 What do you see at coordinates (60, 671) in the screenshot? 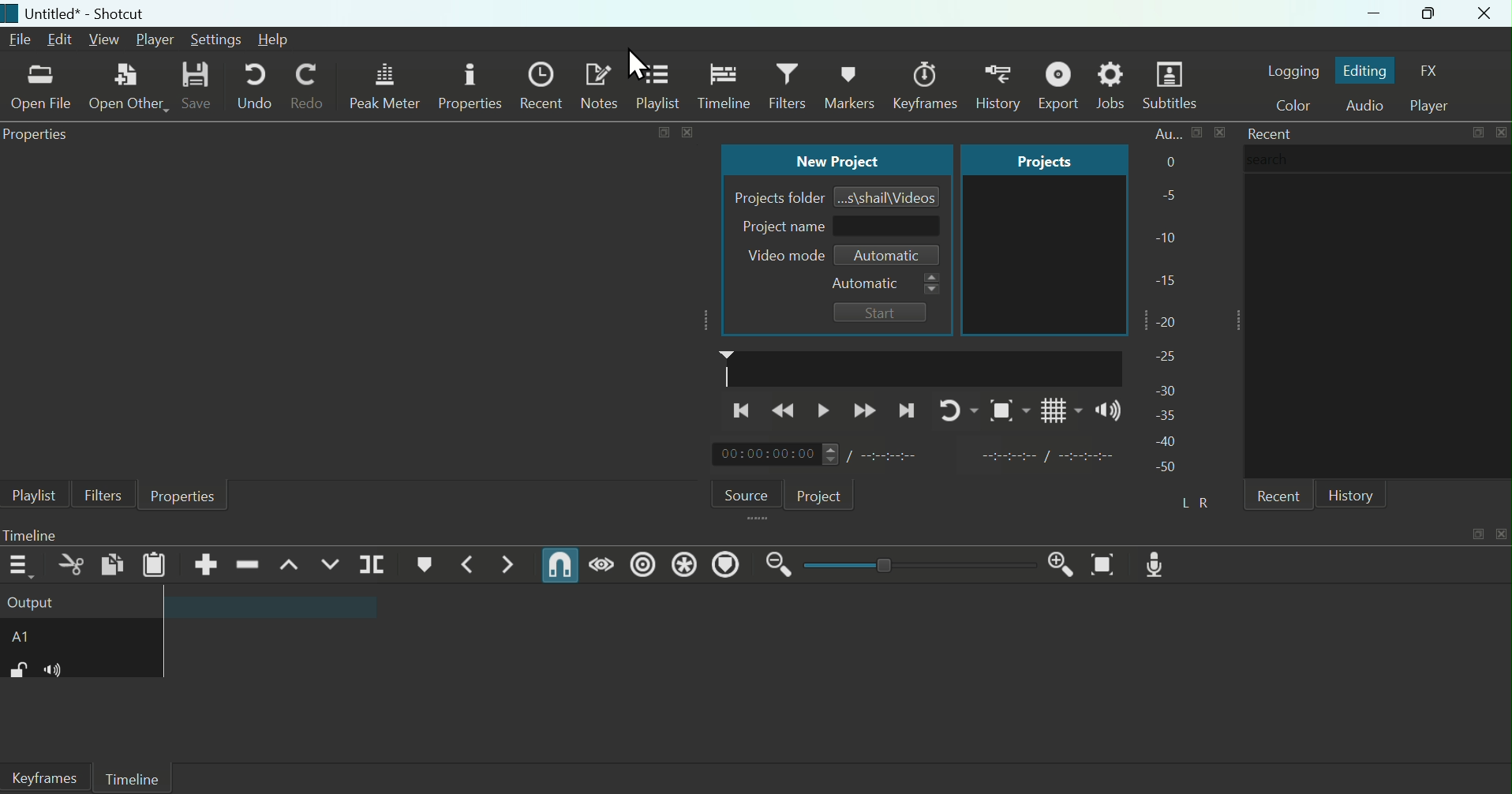
I see `Mute` at bounding box center [60, 671].